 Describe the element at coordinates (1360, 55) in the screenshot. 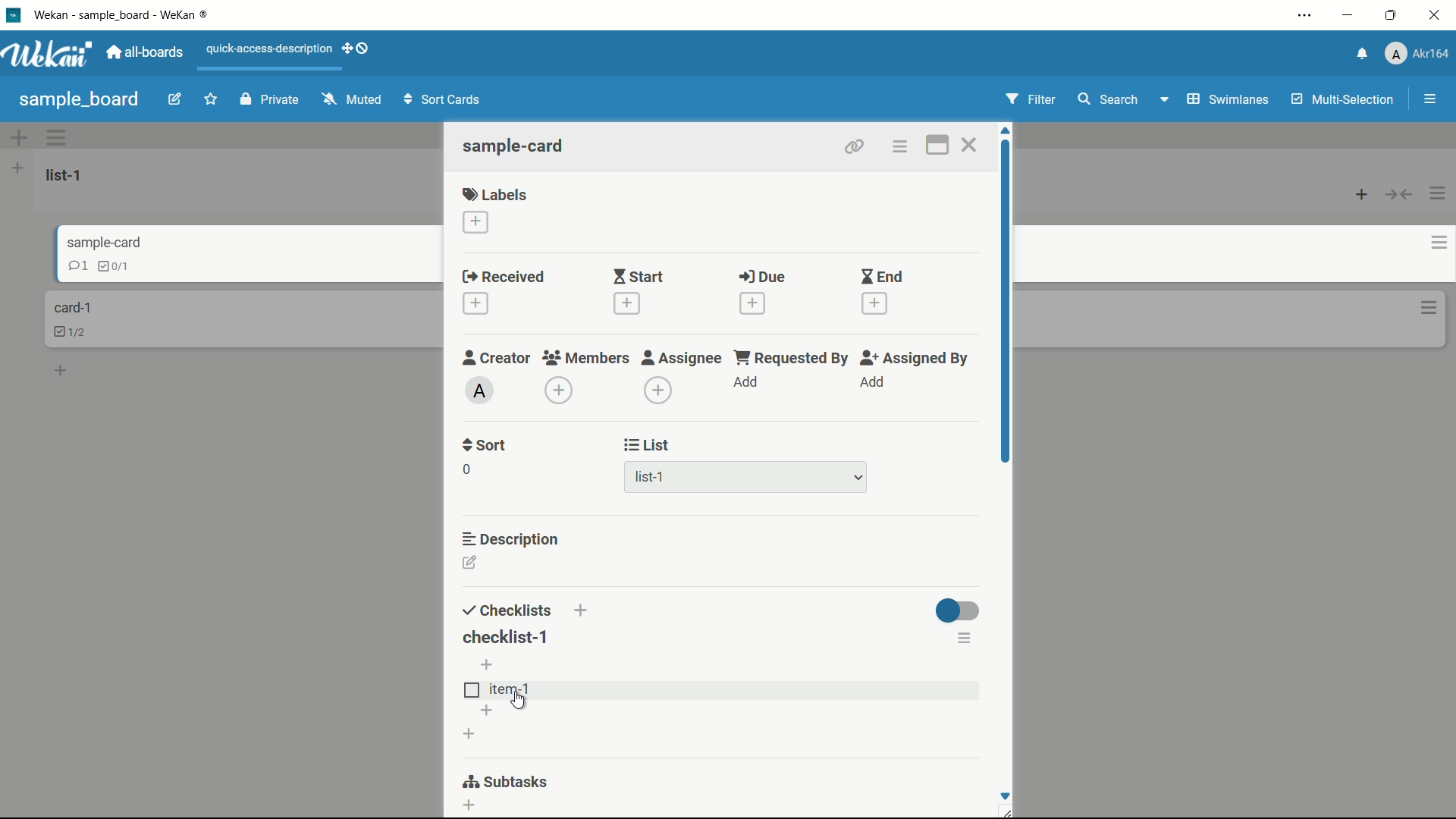

I see `notifications` at that location.